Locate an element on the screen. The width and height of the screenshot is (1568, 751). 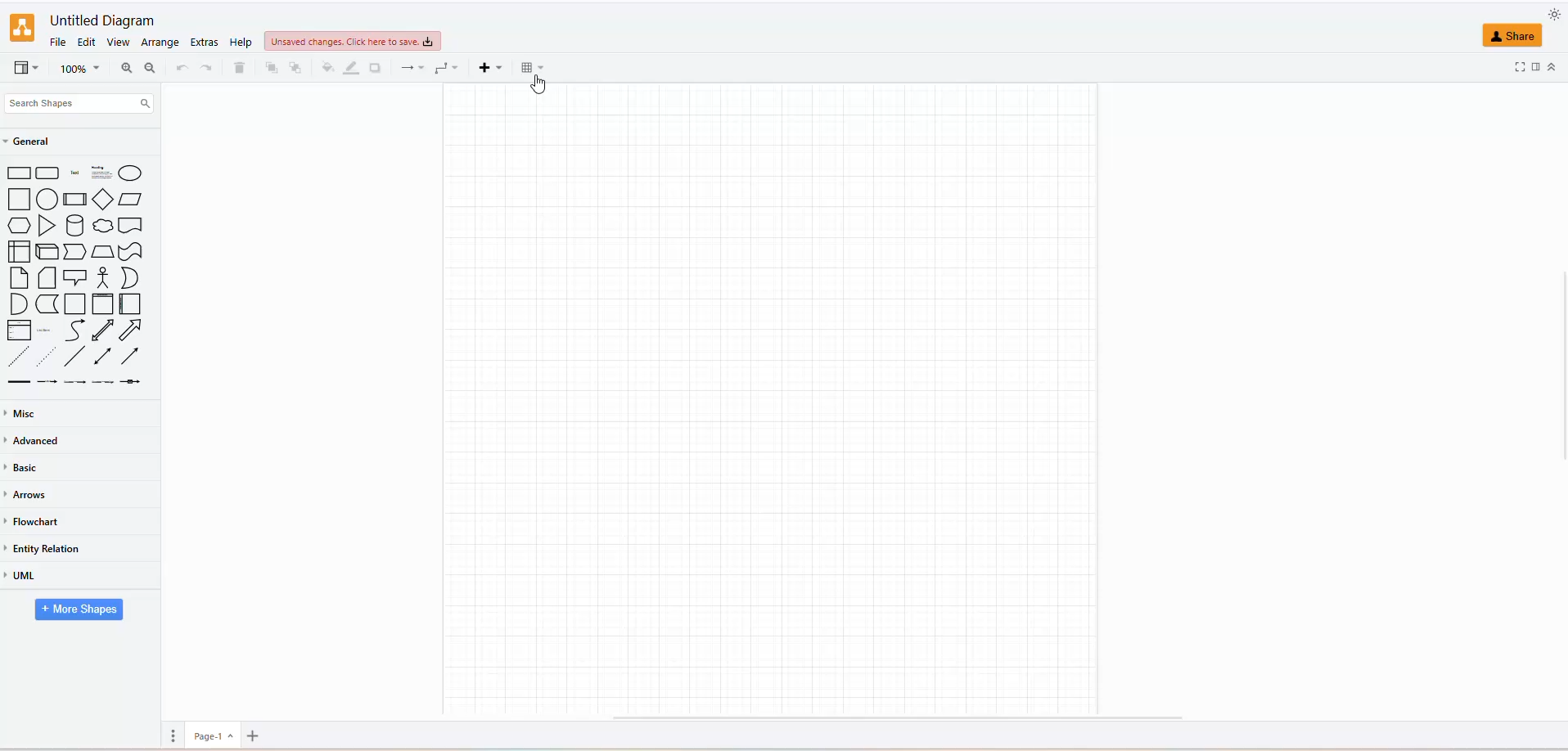
redo is located at coordinates (207, 68).